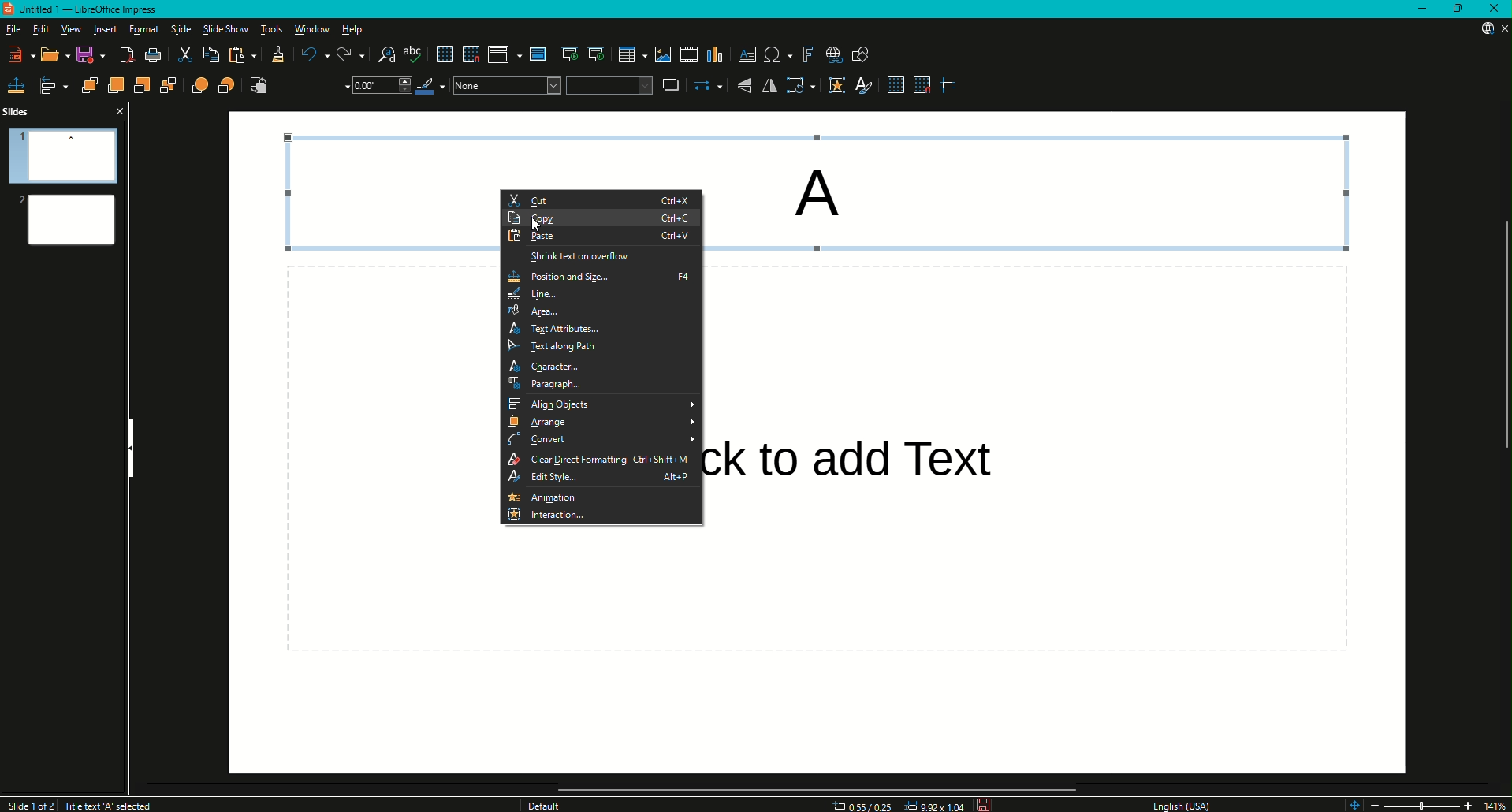  Describe the element at coordinates (170, 85) in the screenshot. I see `Send to Back` at that location.